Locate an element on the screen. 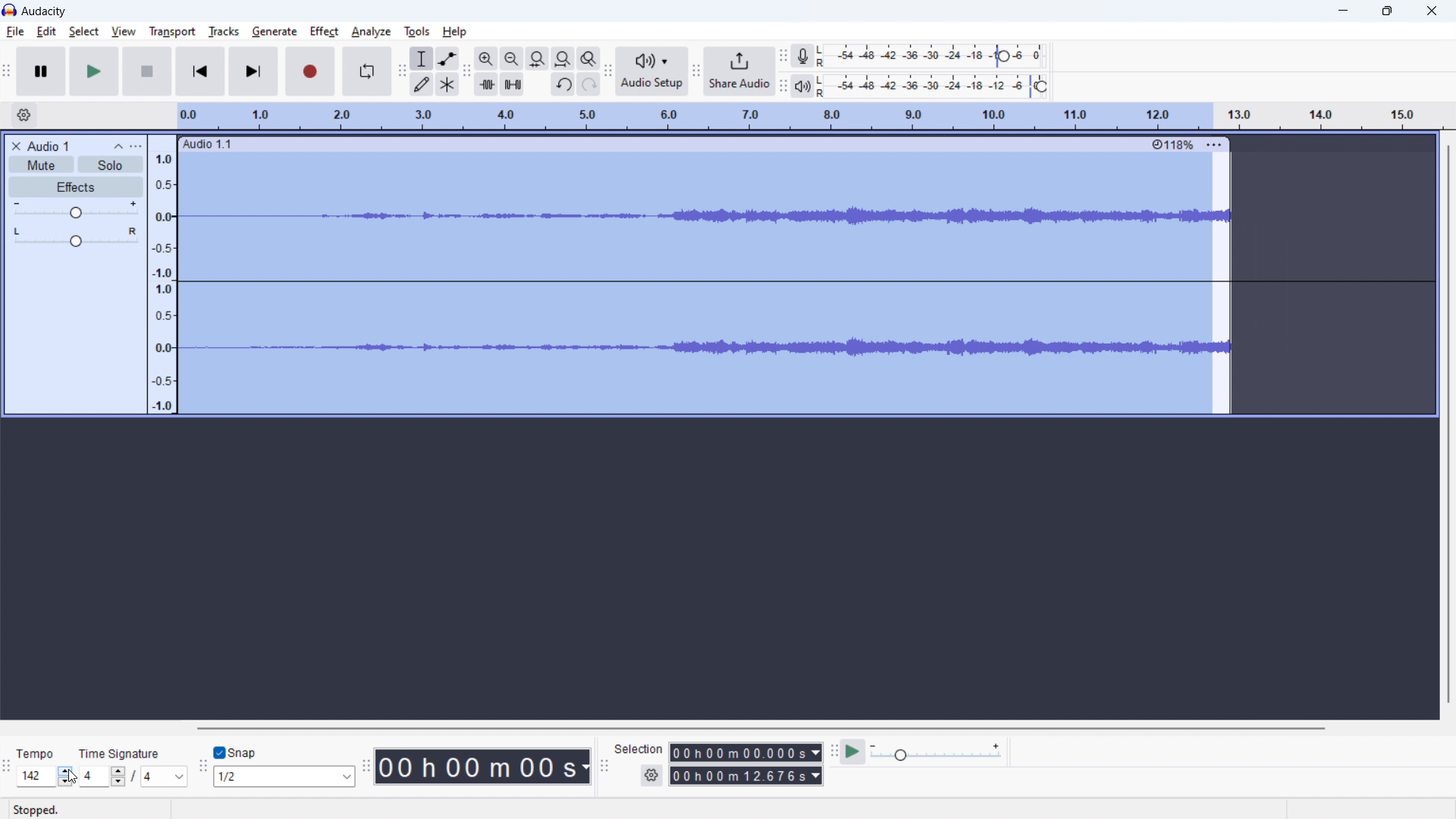 This screenshot has height=819, width=1456. recording meter toolbar is located at coordinates (783, 87).